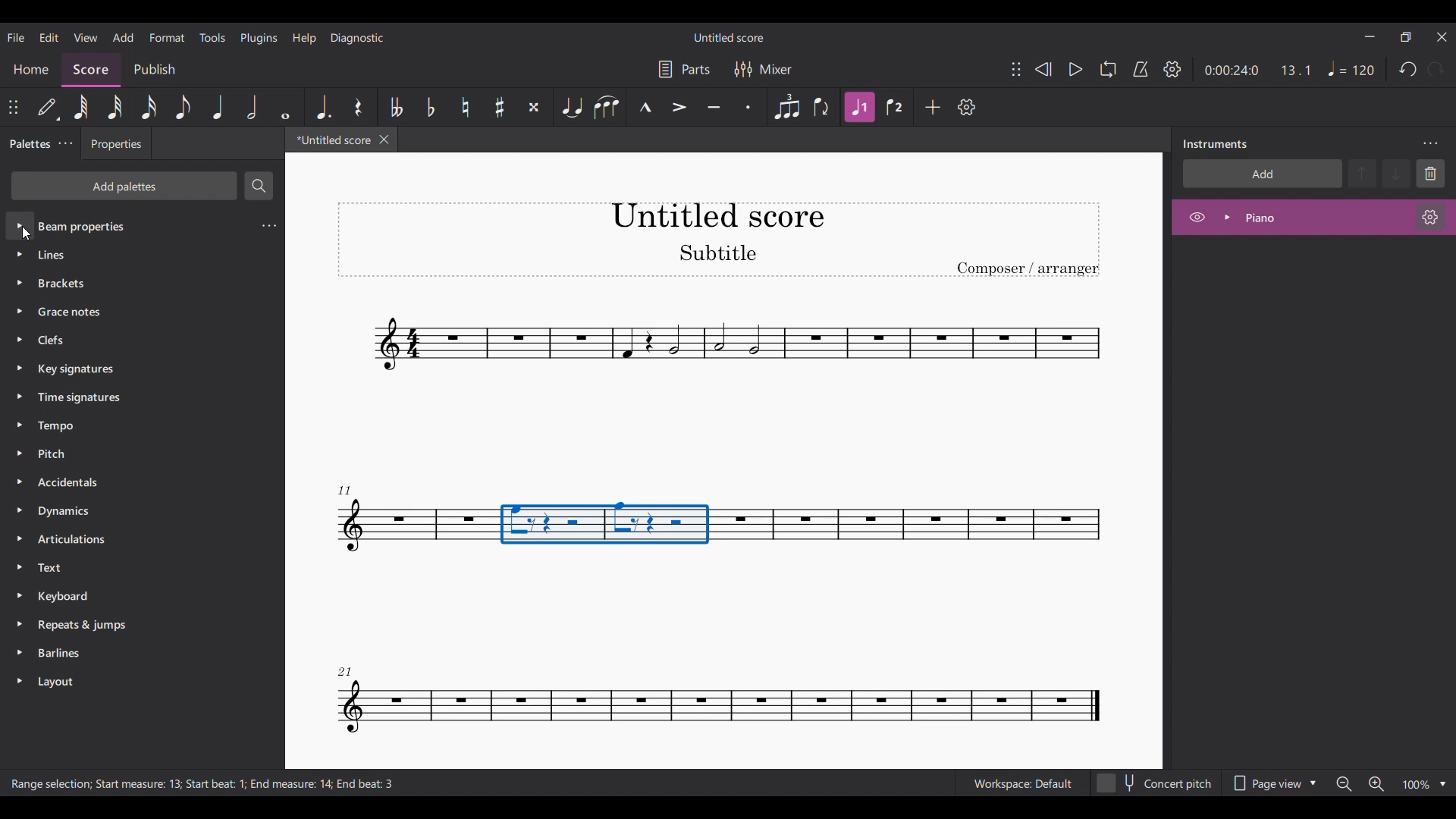 This screenshot has height=819, width=1456. What do you see at coordinates (135, 254) in the screenshot?
I see `Lines` at bounding box center [135, 254].